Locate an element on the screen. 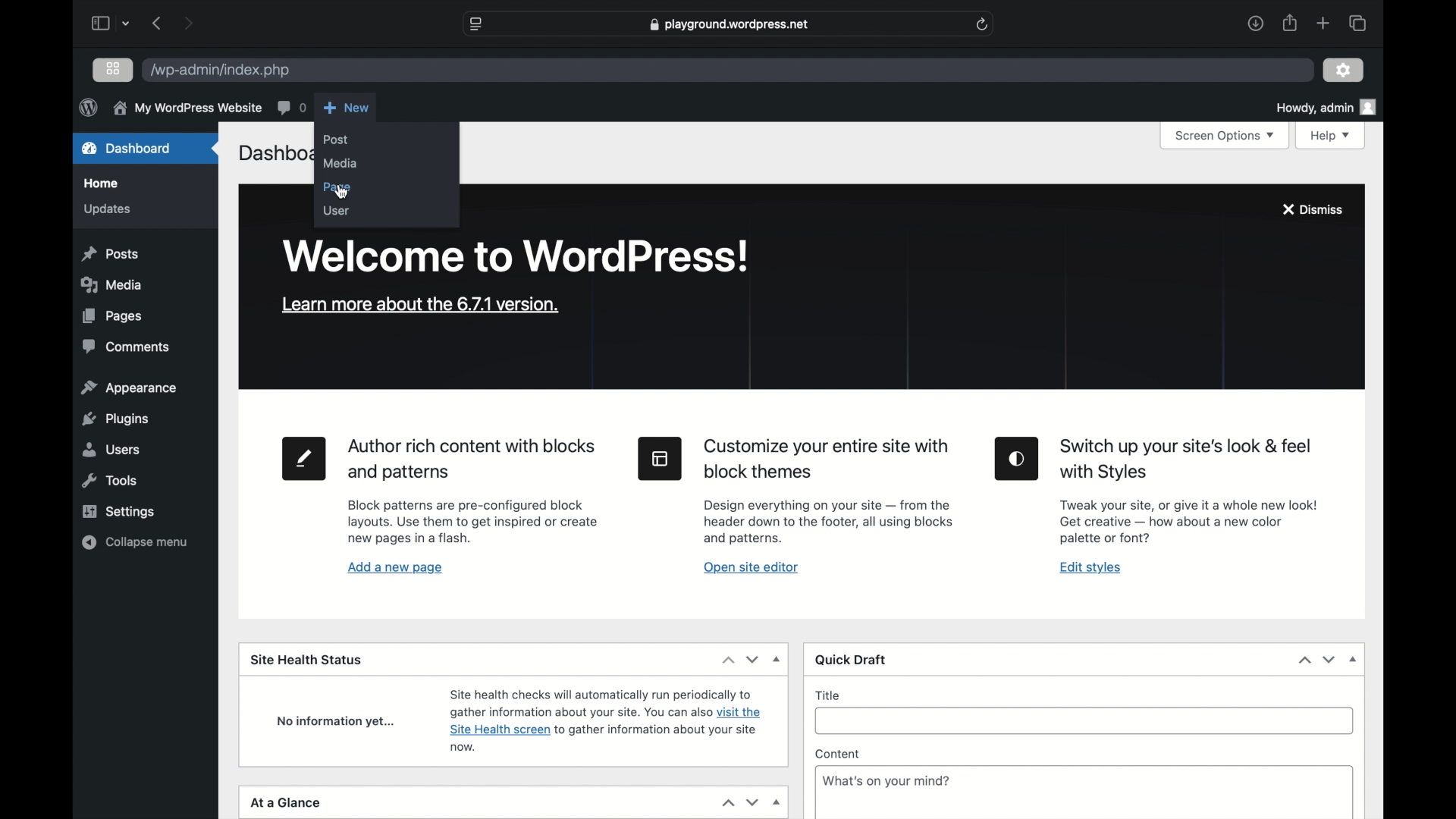 The height and width of the screenshot is (819, 1456). comments is located at coordinates (127, 347).